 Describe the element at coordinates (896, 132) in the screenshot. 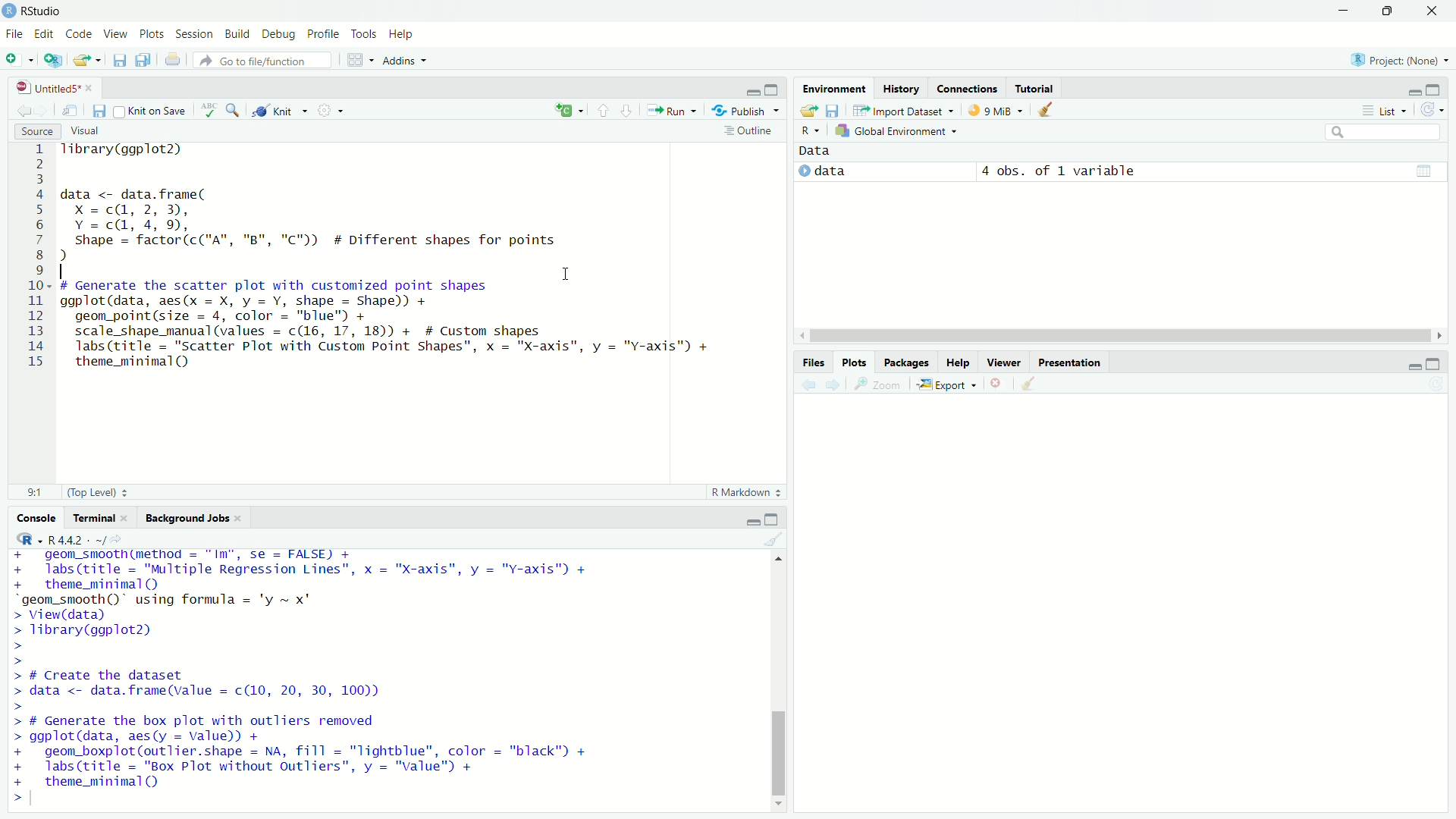

I see `Global Environment` at that location.